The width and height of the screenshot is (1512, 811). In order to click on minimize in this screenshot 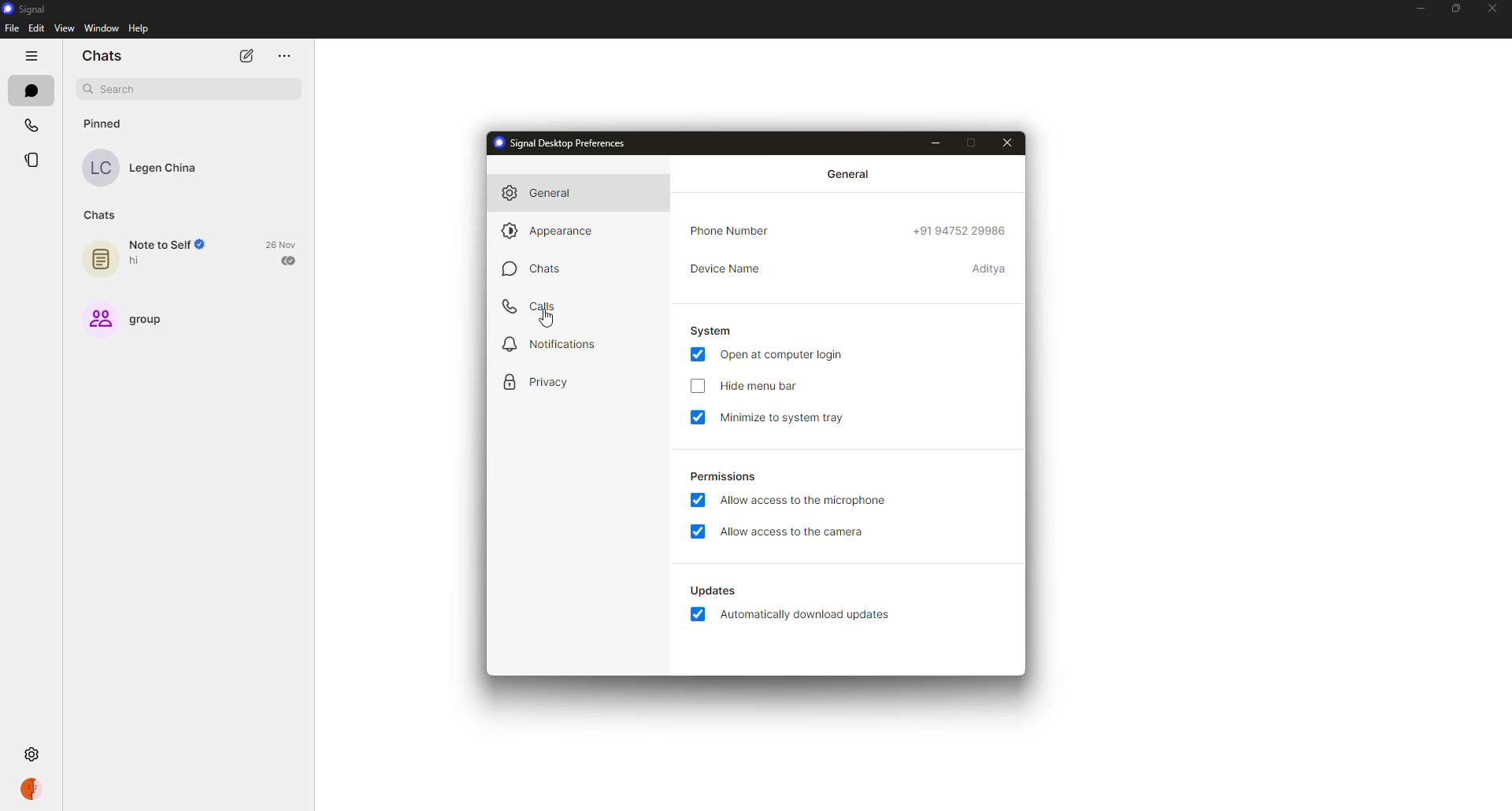, I will do `click(1419, 9)`.